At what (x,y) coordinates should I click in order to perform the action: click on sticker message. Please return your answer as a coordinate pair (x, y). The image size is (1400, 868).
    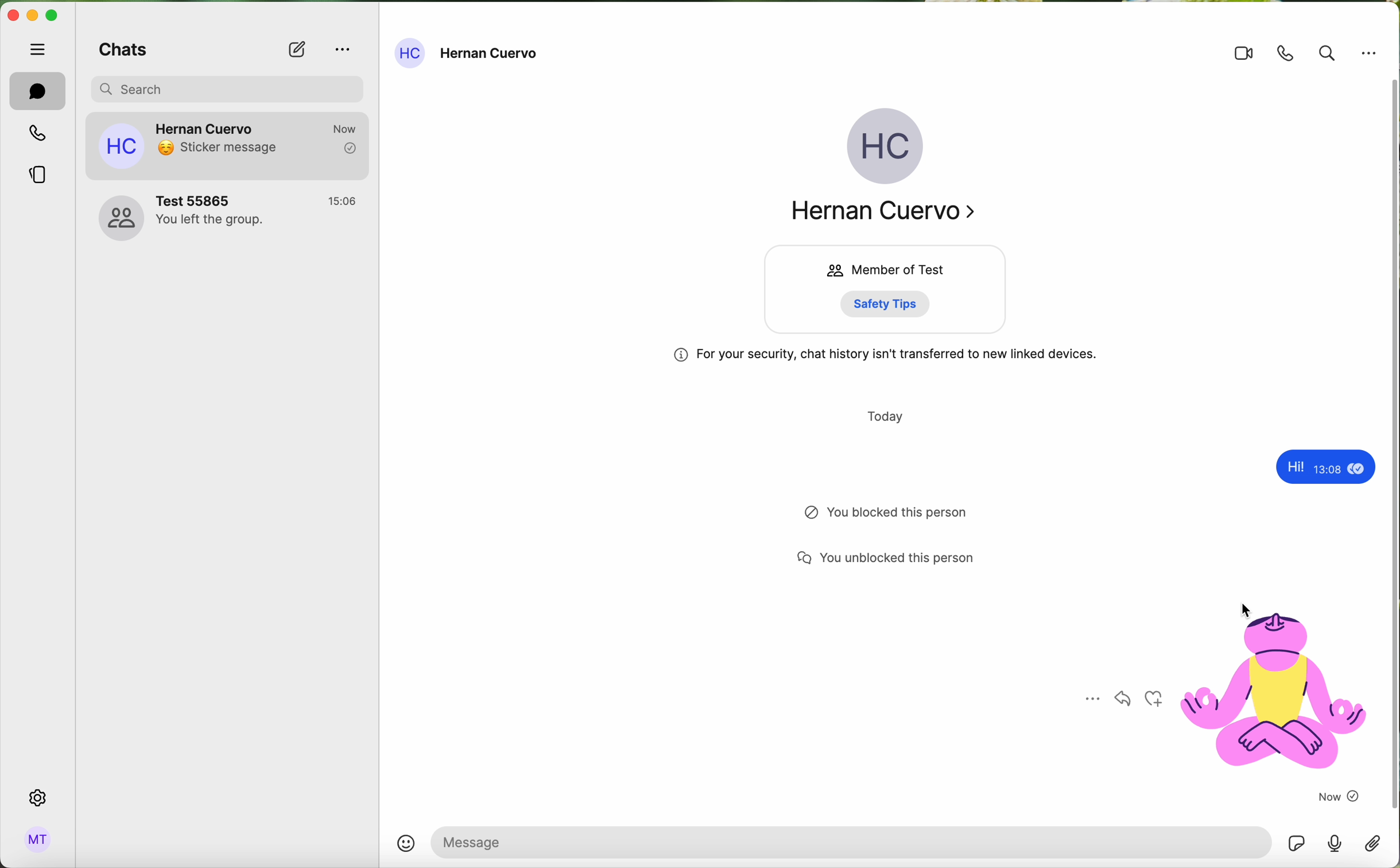
    Looking at the image, I should click on (232, 148).